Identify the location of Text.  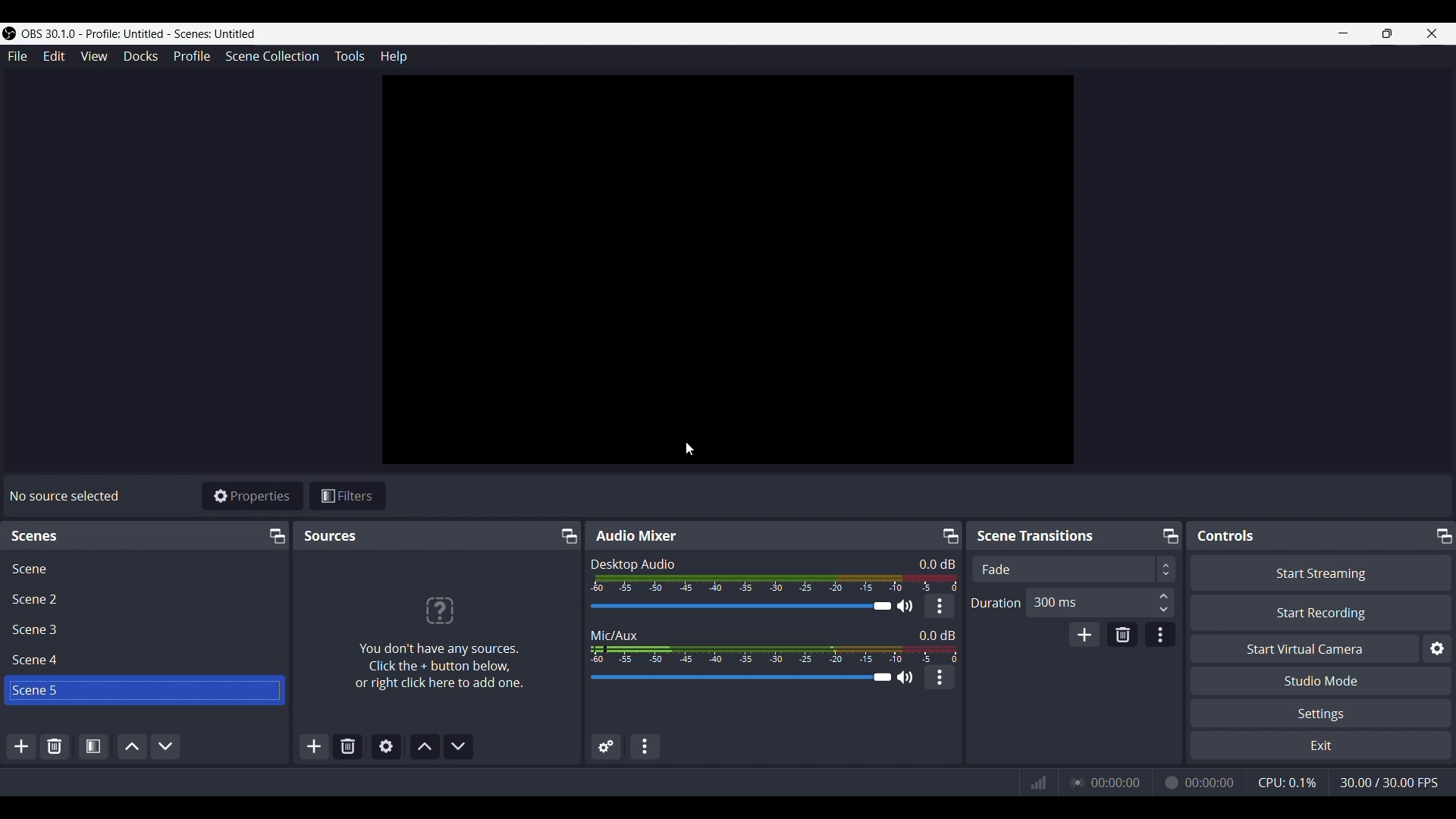
(937, 563).